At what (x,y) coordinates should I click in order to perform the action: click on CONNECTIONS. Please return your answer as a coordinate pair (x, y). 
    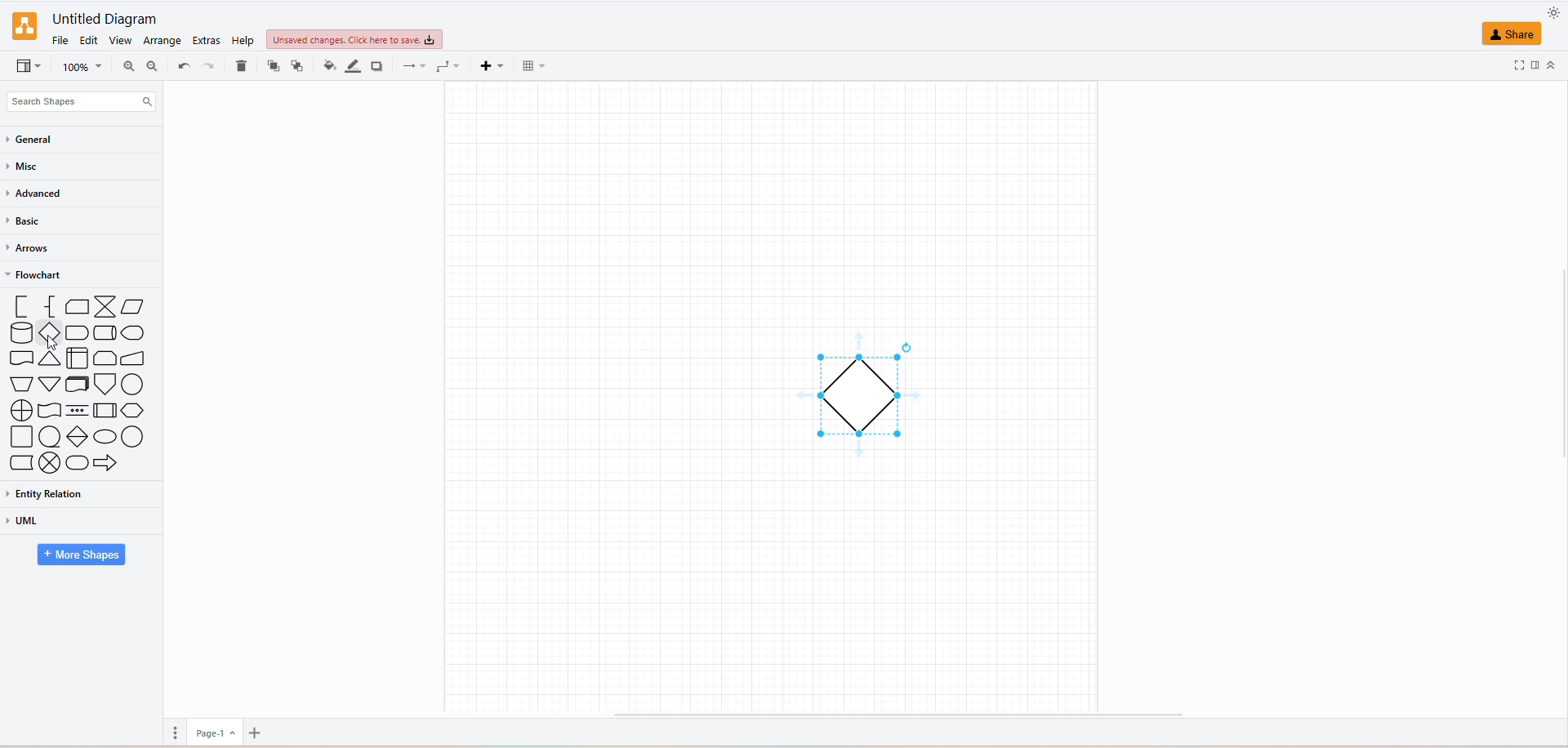
    Looking at the image, I should click on (412, 65).